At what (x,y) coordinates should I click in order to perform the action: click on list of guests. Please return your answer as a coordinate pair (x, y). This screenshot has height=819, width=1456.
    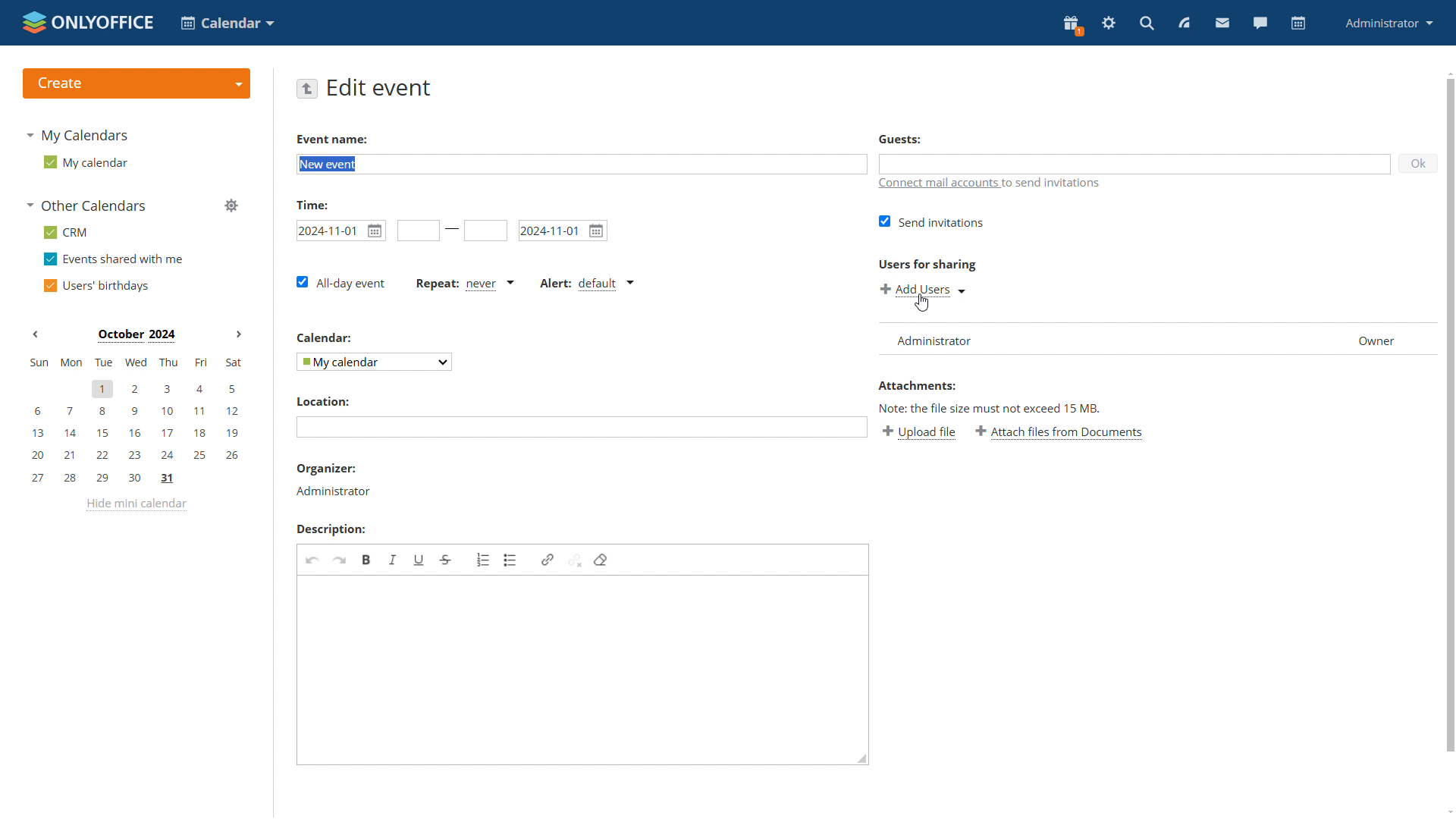
    Looking at the image, I should click on (1157, 339).